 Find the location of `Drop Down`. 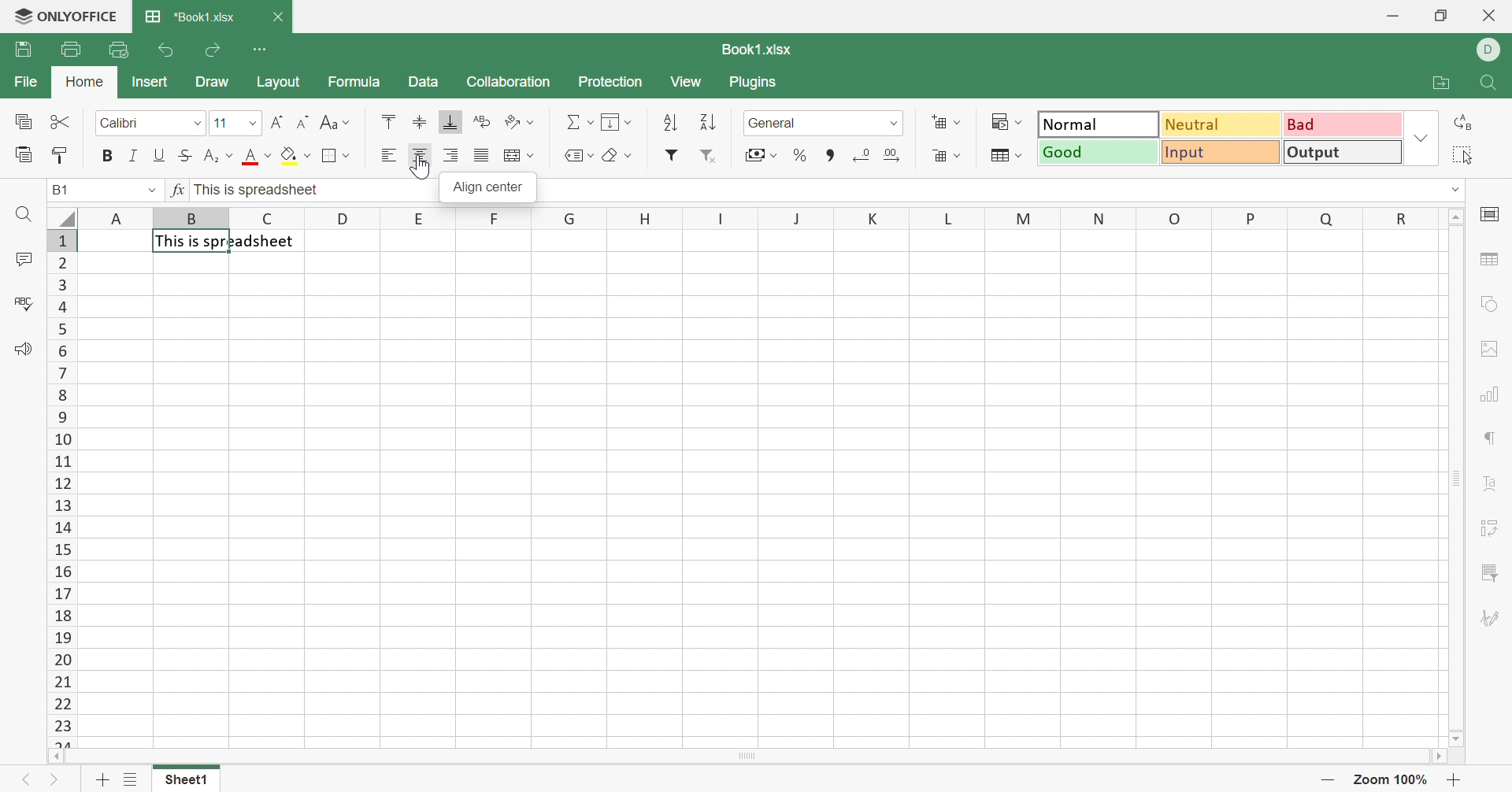

Drop Down is located at coordinates (629, 122).